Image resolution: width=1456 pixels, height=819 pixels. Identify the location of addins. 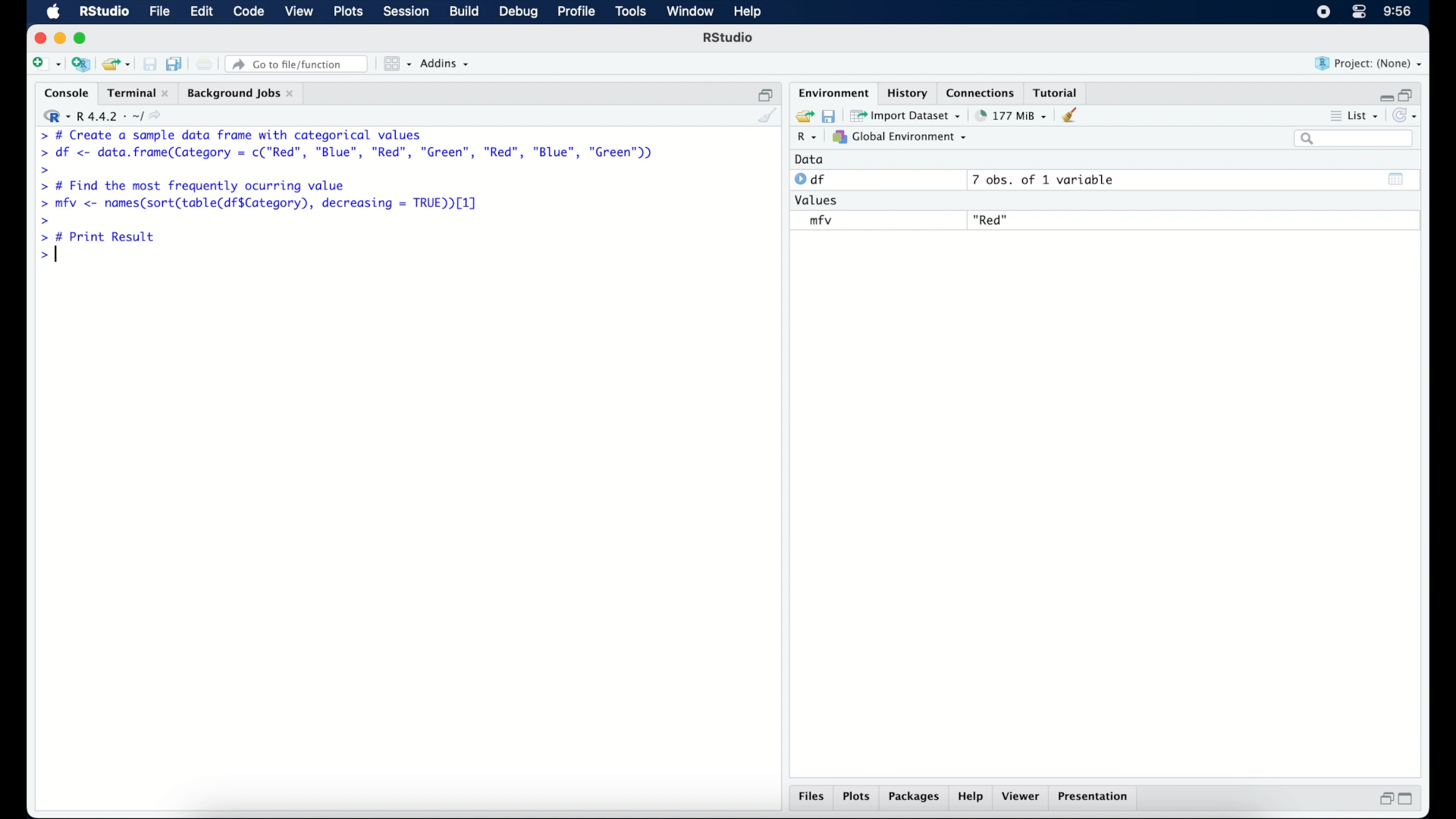
(447, 64).